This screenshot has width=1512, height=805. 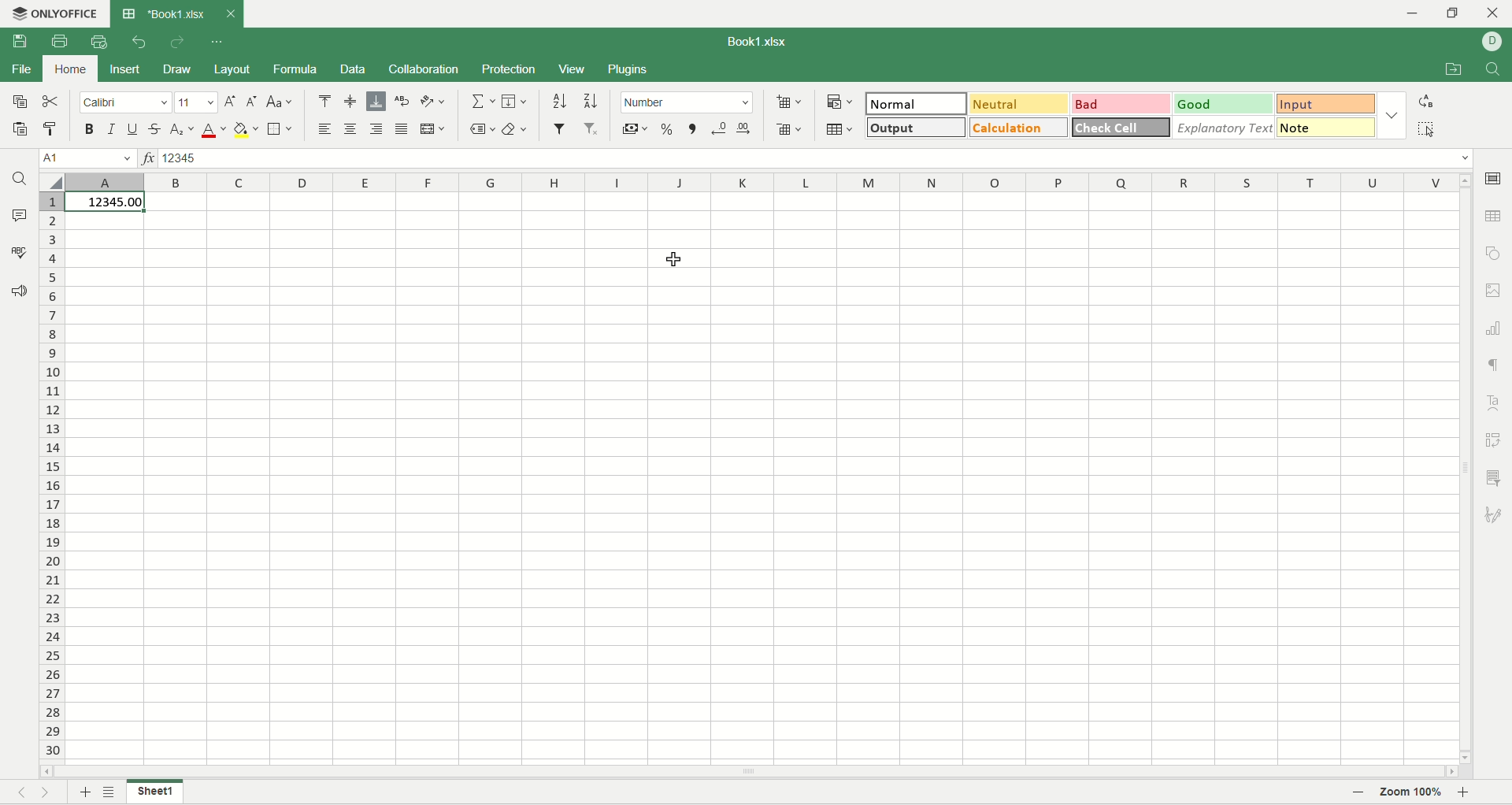 I want to click on redo, so click(x=181, y=44).